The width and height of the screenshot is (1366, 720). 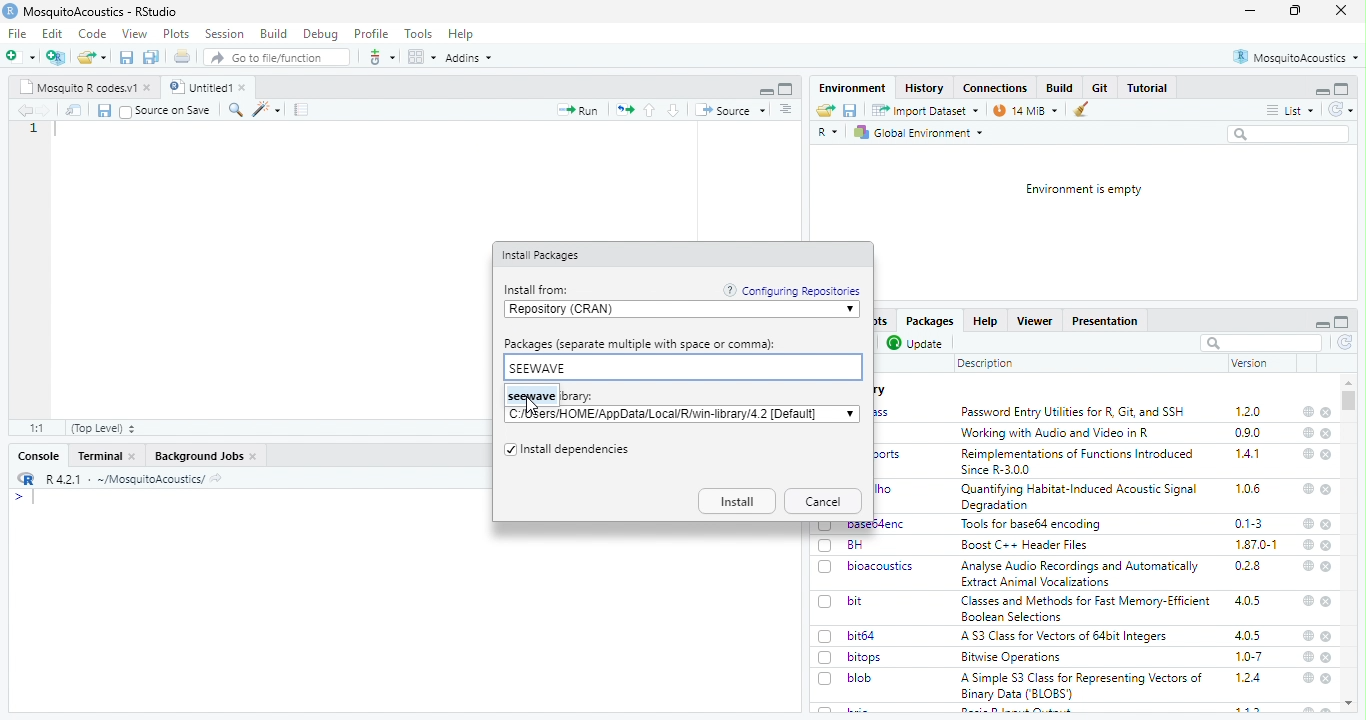 What do you see at coordinates (183, 56) in the screenshot?
I see `print` at bounding box center [183, 56].